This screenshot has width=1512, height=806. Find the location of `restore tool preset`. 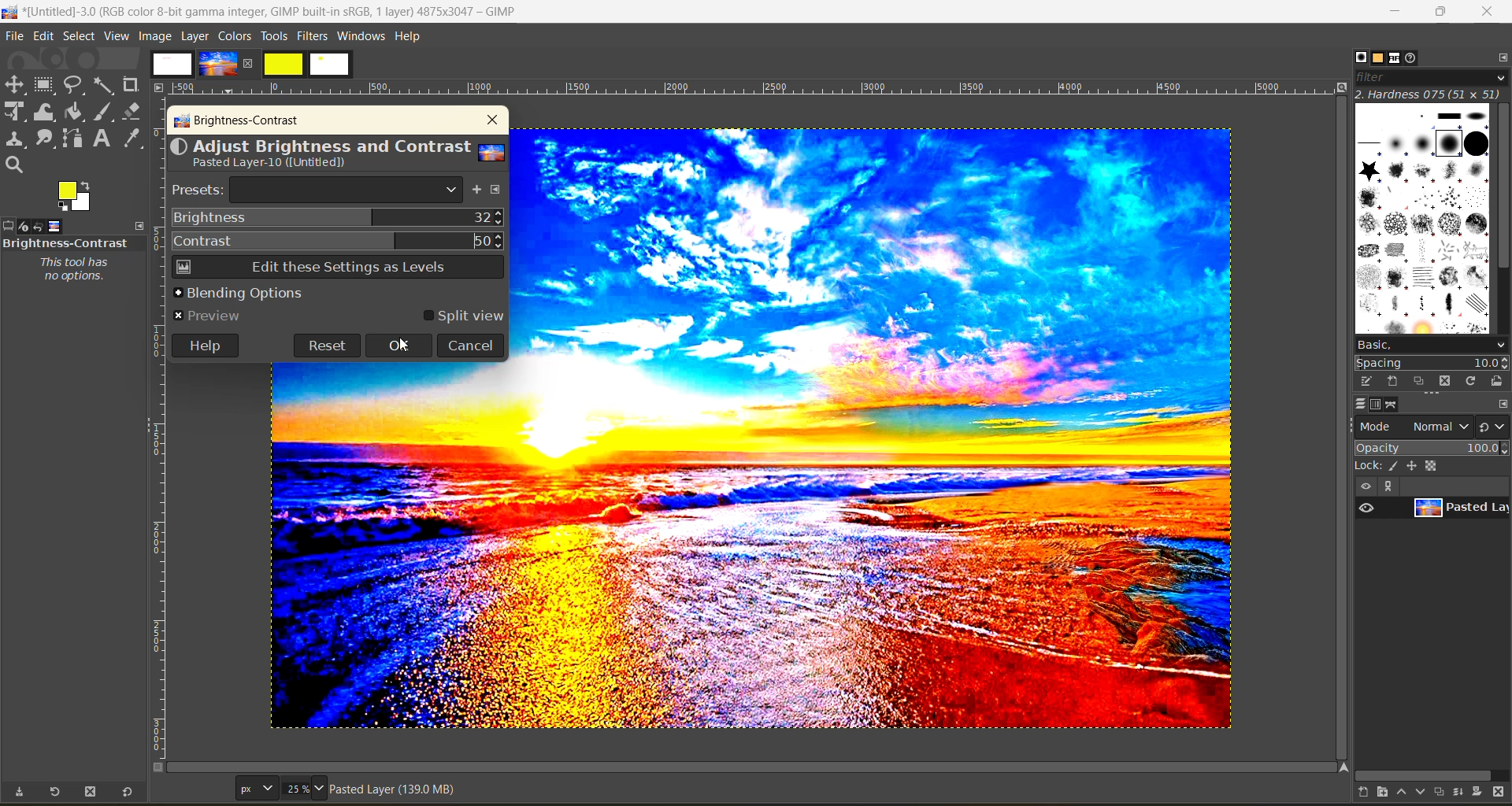

restore tool preset is located at coordinates (52, 793).